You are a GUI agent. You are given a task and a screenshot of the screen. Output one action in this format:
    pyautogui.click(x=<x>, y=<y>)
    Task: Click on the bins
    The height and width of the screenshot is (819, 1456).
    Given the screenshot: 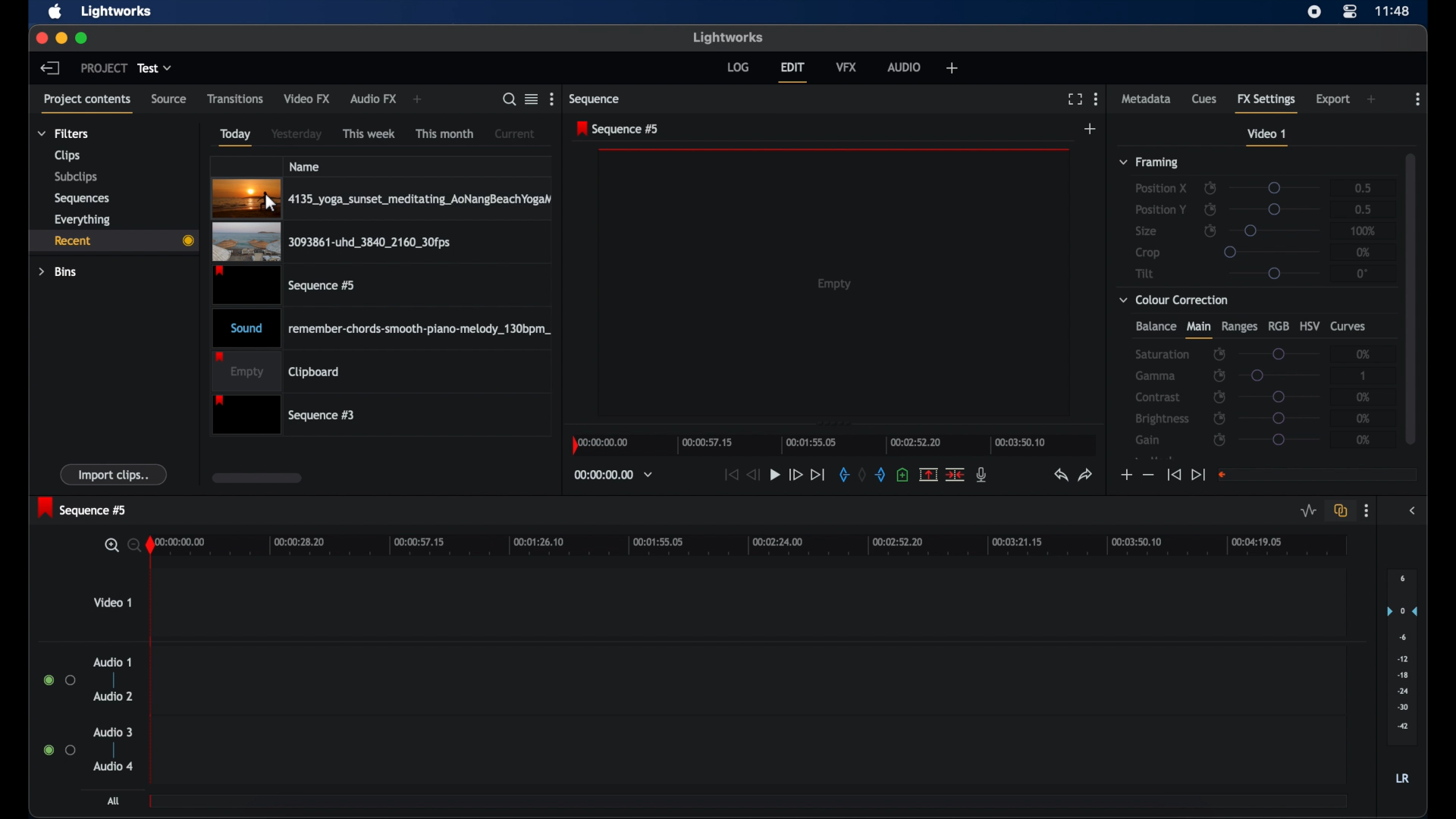 What is the action you would take?
    pyautogui.click(x=58, y=271)
    